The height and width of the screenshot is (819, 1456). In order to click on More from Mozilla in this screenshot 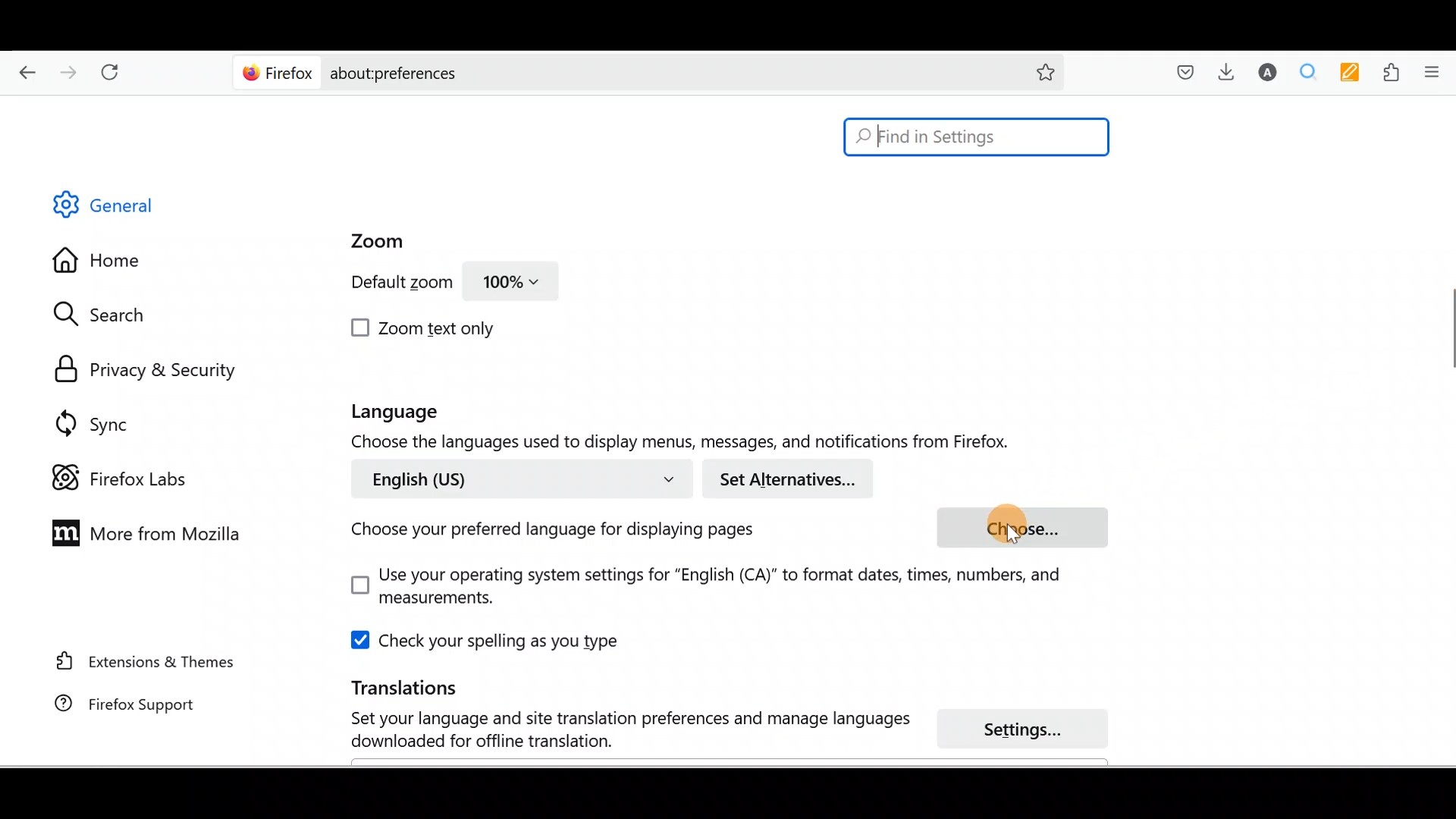, I will do `click(142, 532)`.